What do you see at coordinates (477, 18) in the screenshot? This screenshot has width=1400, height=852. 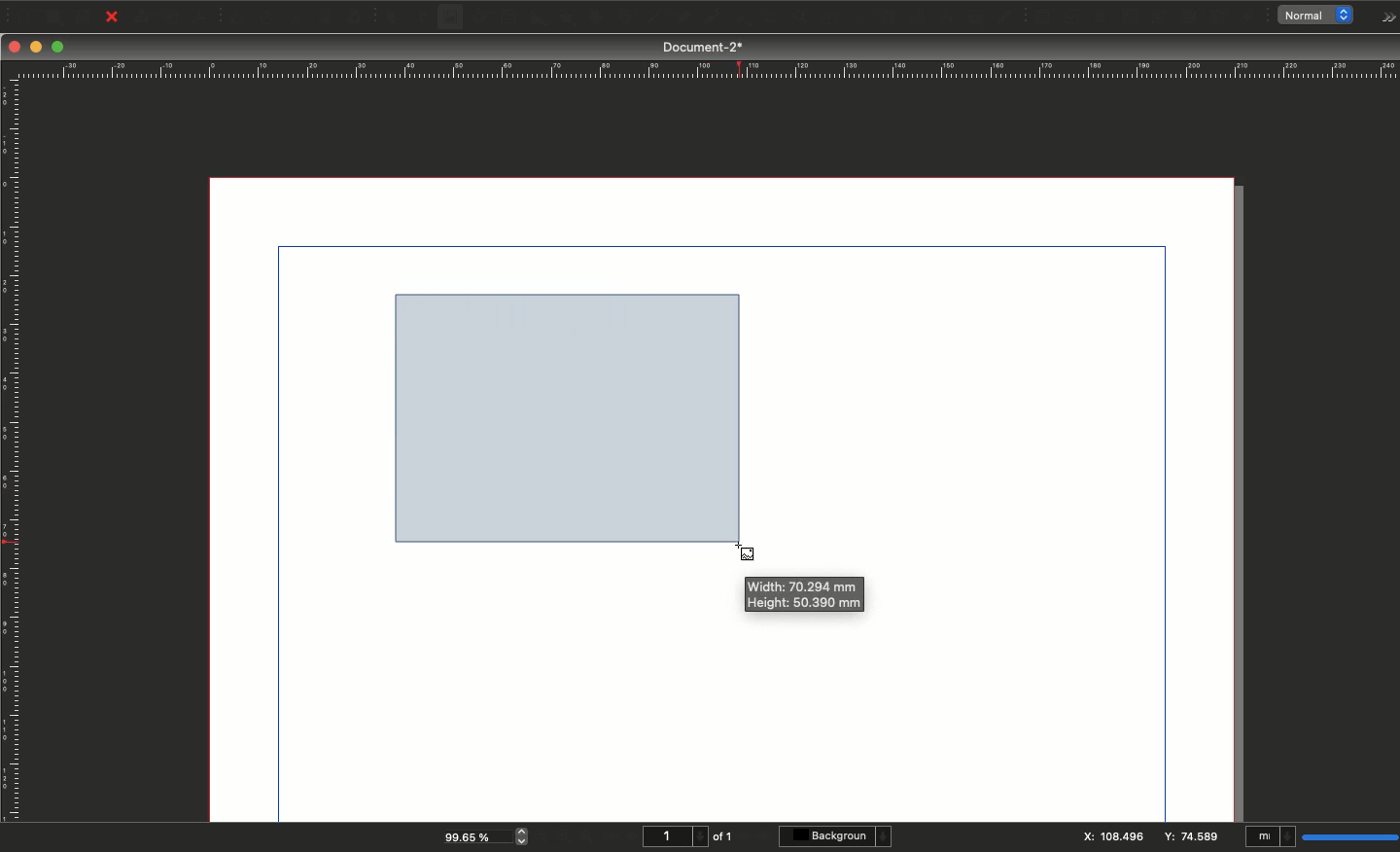 I see `Render frame` at bounding box center [477, 18].